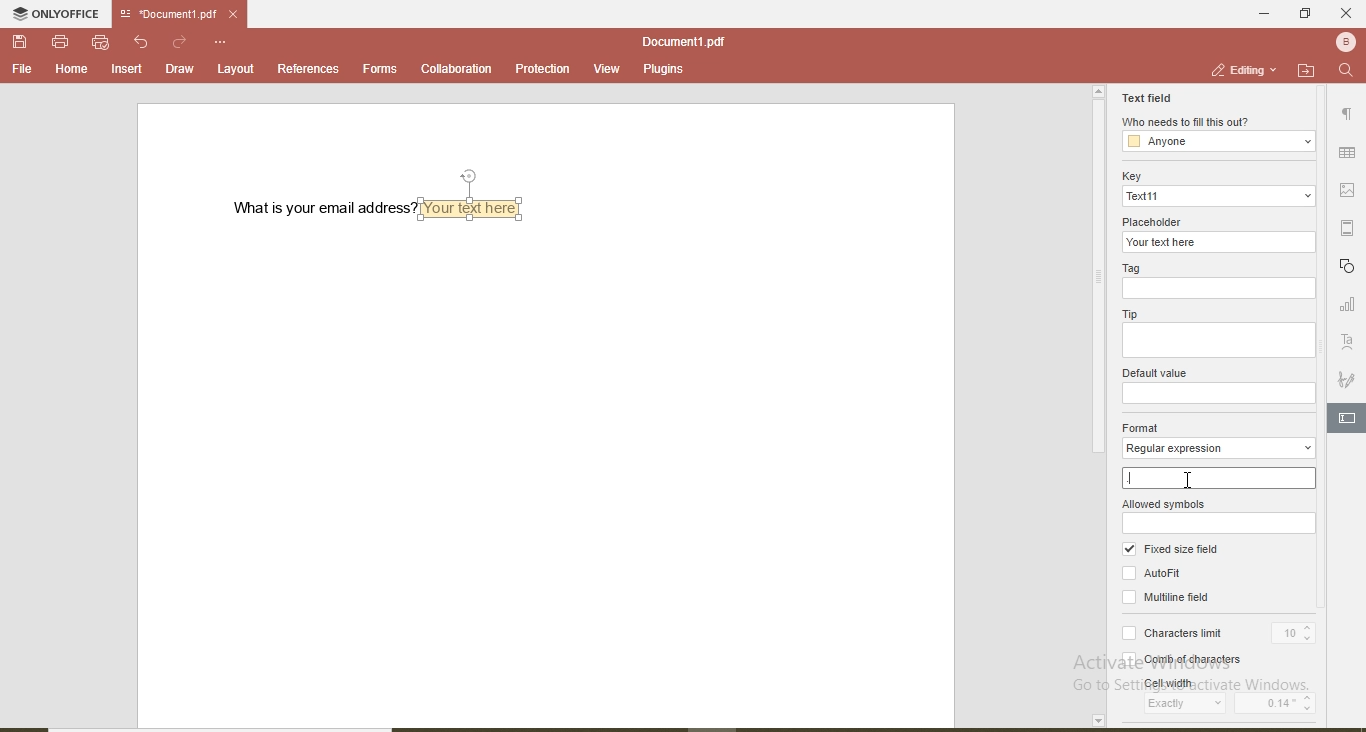  I want to click on allowed symbols, so click(1165, 502).